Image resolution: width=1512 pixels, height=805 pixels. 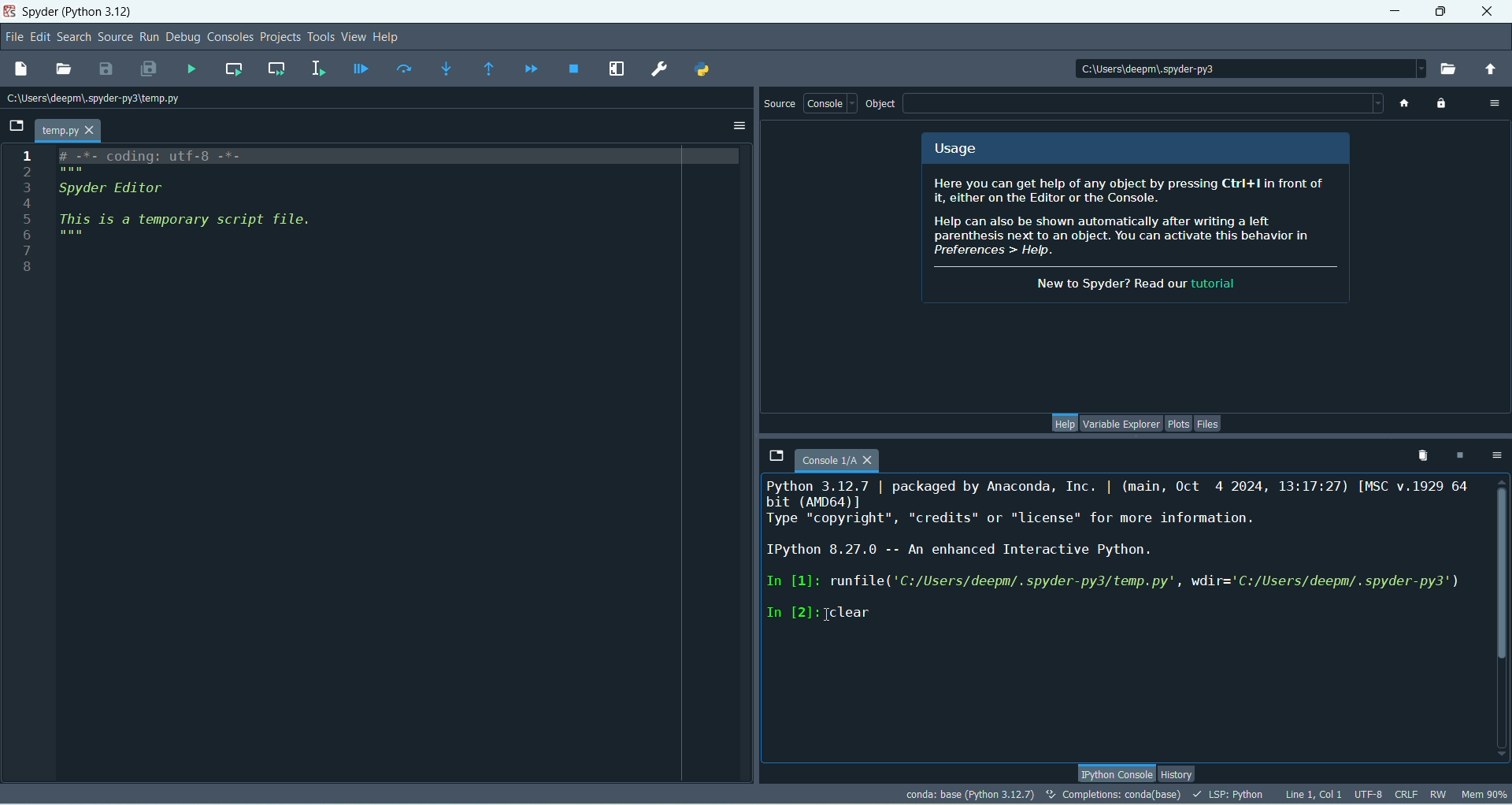 What do you see at coordinates (106, 69) in the screenshot?
I see `save` at bounding box center [106, 69].